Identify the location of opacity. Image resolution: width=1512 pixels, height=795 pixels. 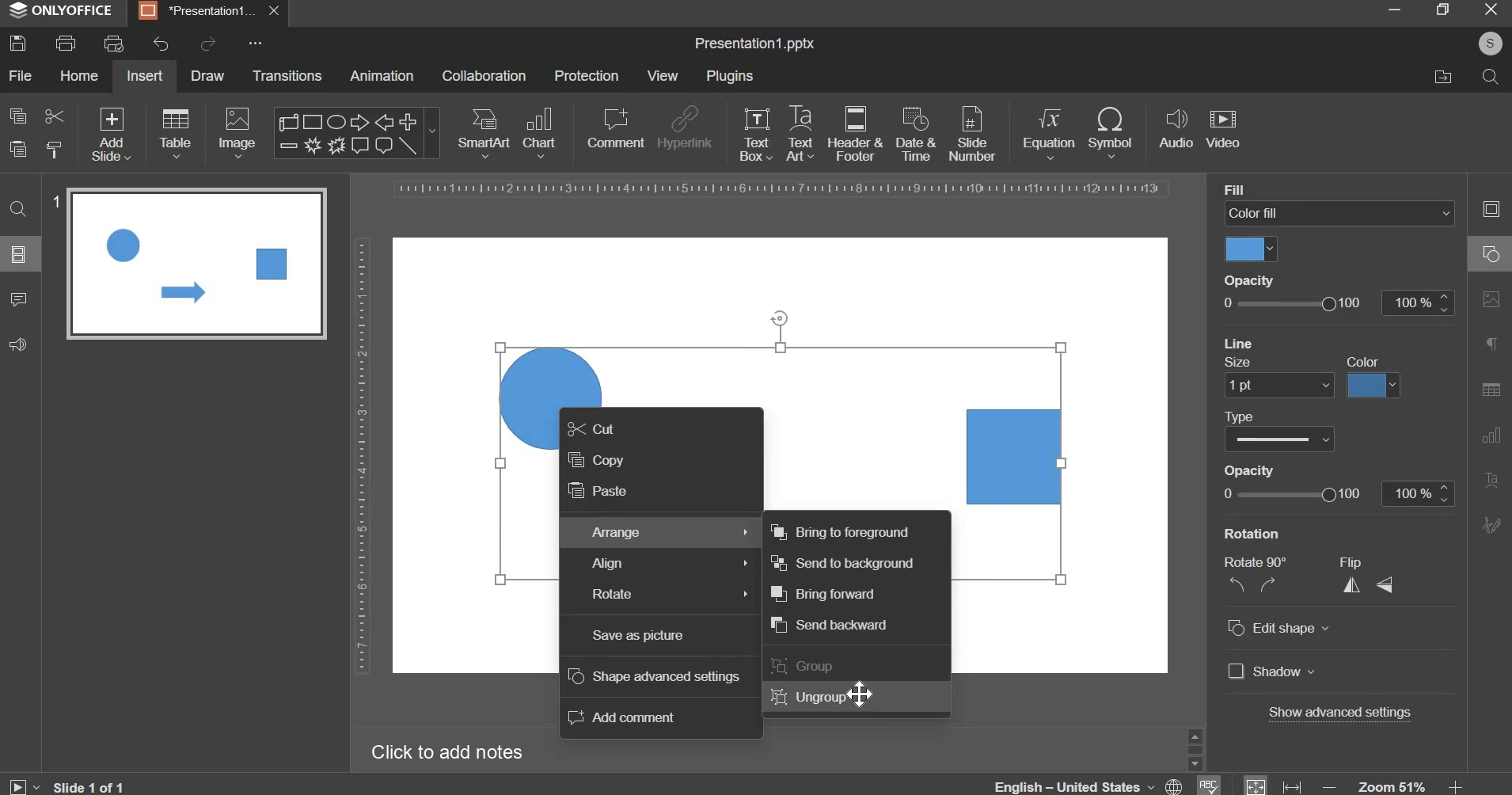
(1256, 467).